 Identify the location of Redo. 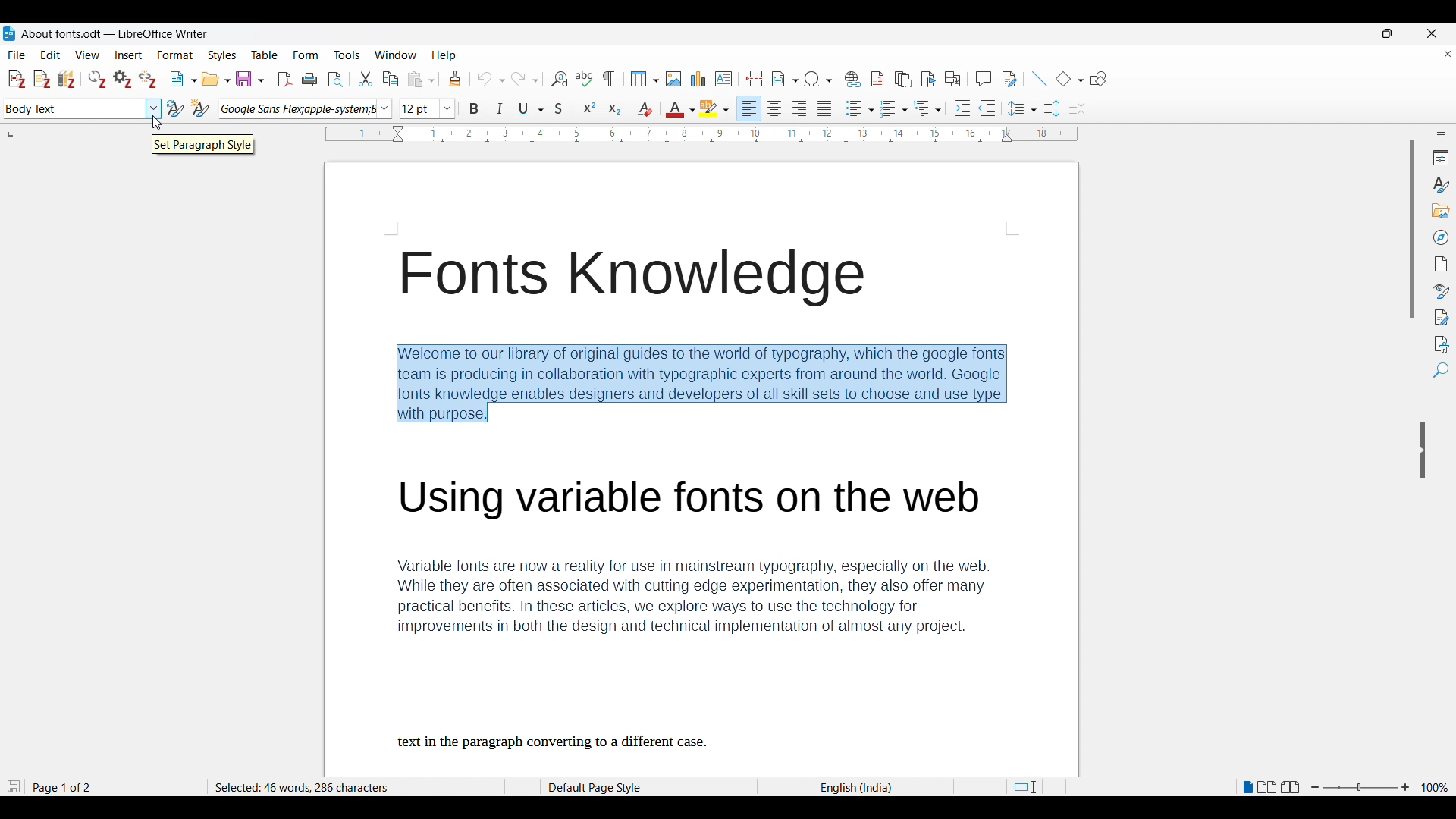
(525, 79).